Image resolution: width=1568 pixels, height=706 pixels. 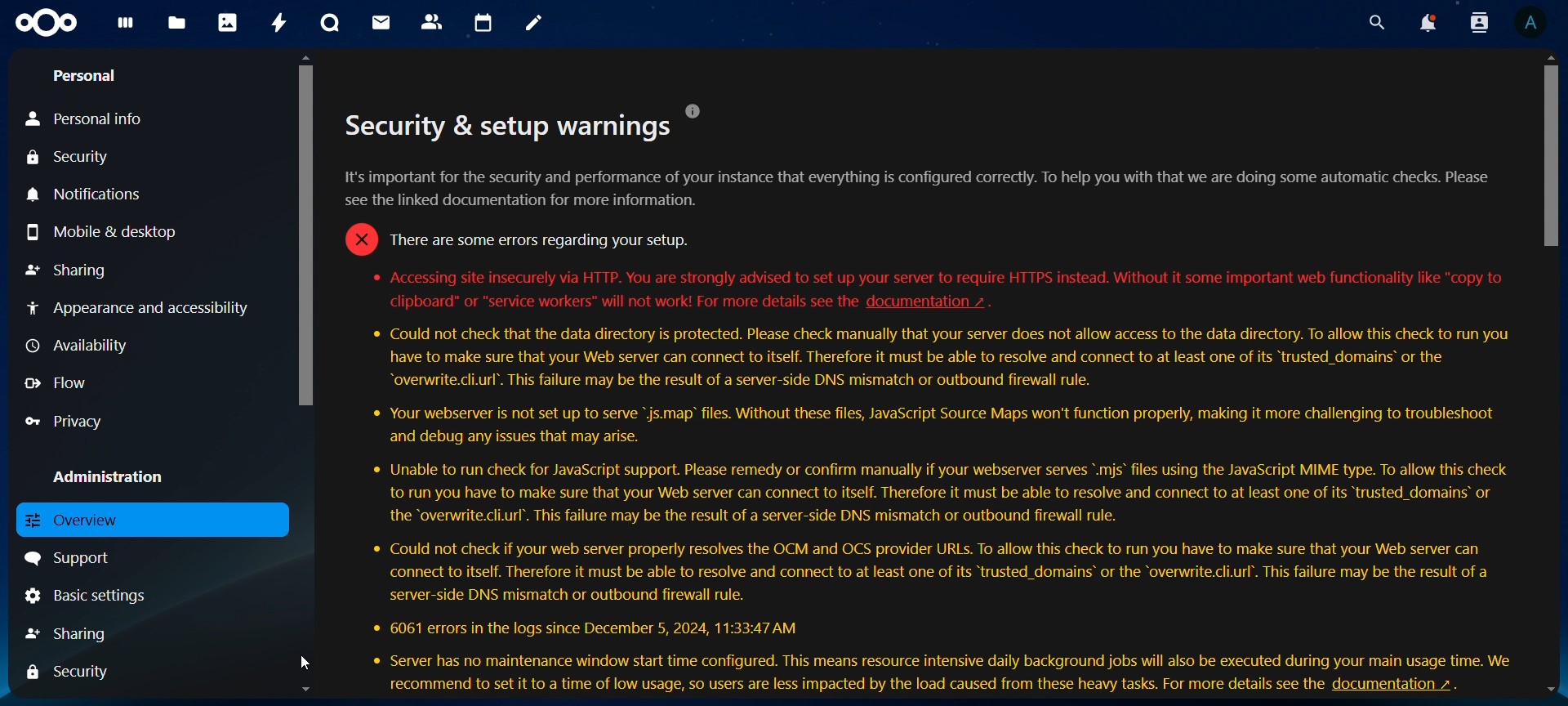 I want to click on * Accessing site insecurely via HTTP. You are strongly advised to set up your server to require HTTPS instead. Without it some important web functionality like "copy to, so click(x=933, y=276).